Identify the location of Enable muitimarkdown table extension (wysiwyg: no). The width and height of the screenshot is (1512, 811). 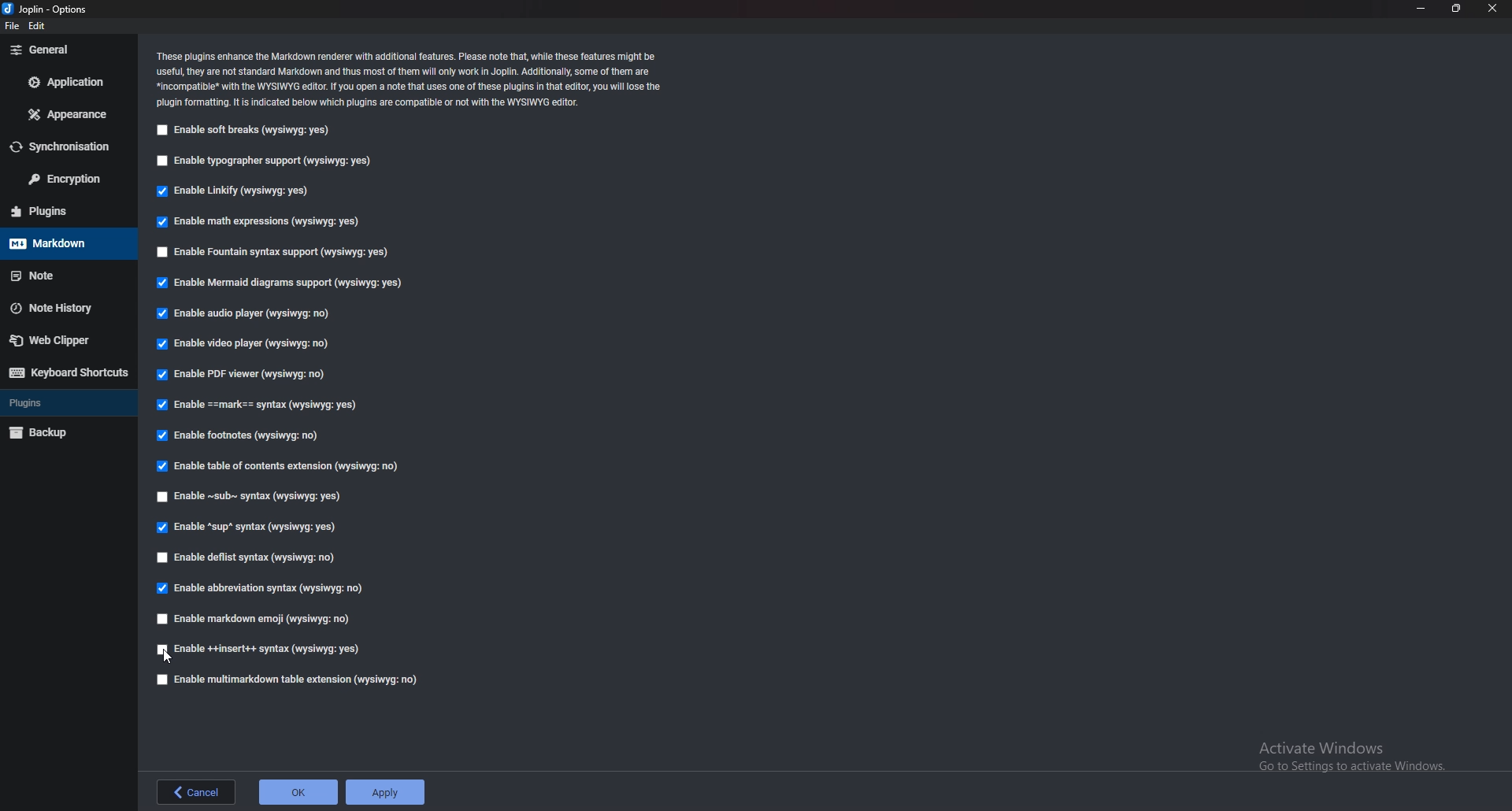
(287, 679).